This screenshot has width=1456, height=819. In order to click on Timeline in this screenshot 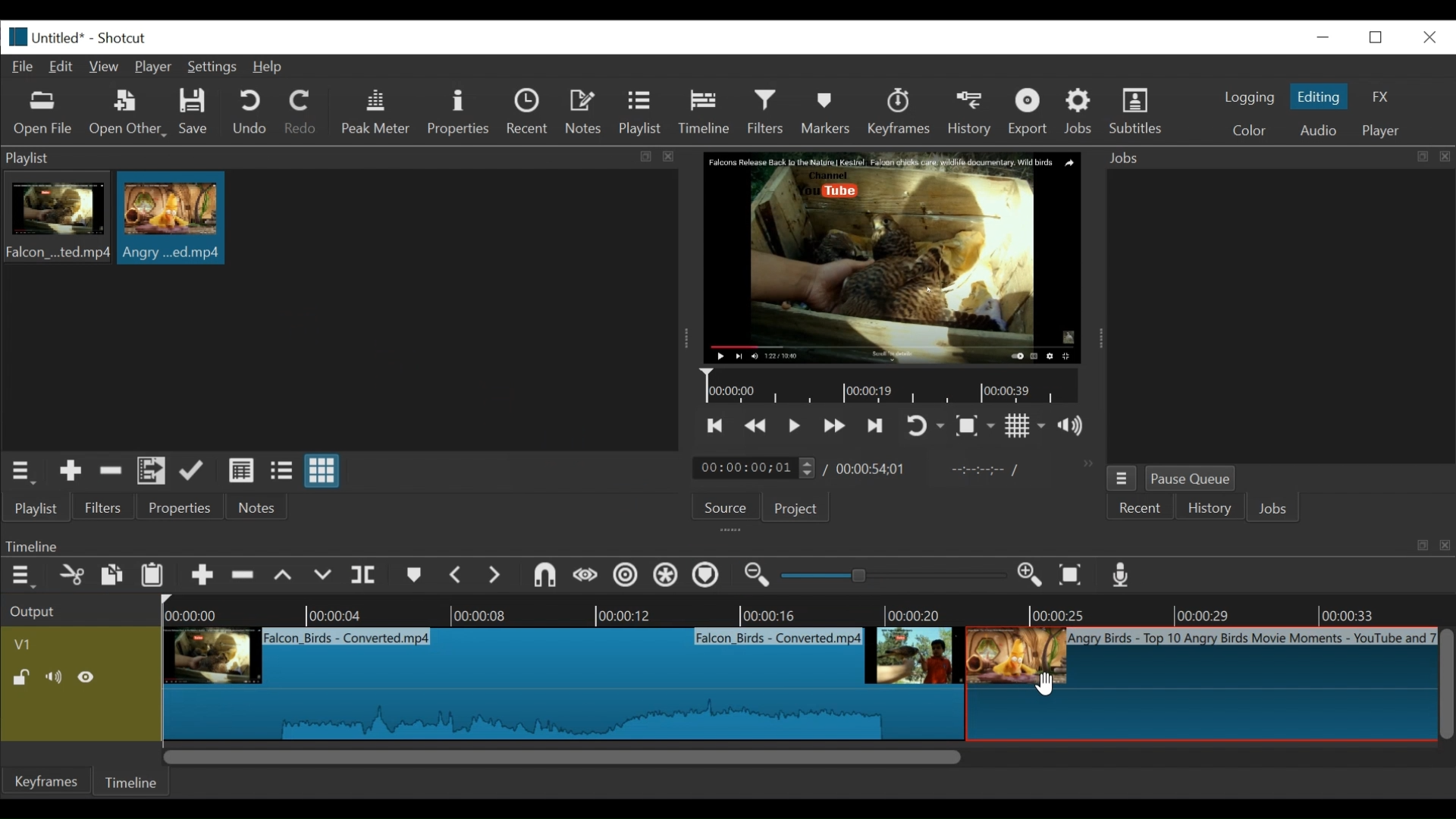, I will do `click(134, 780)`.